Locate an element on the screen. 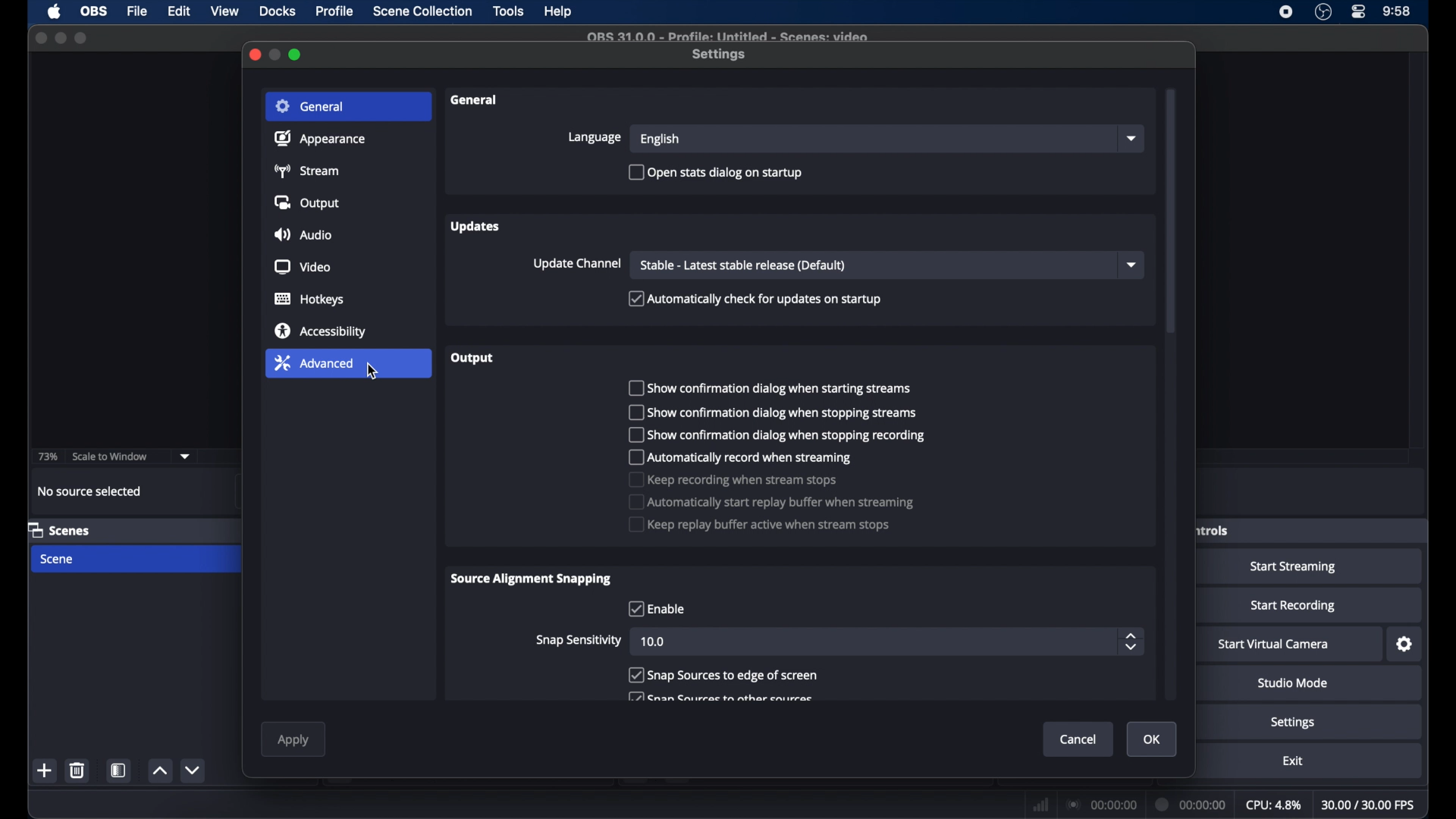  update channel is located at coordinates (577, 264).